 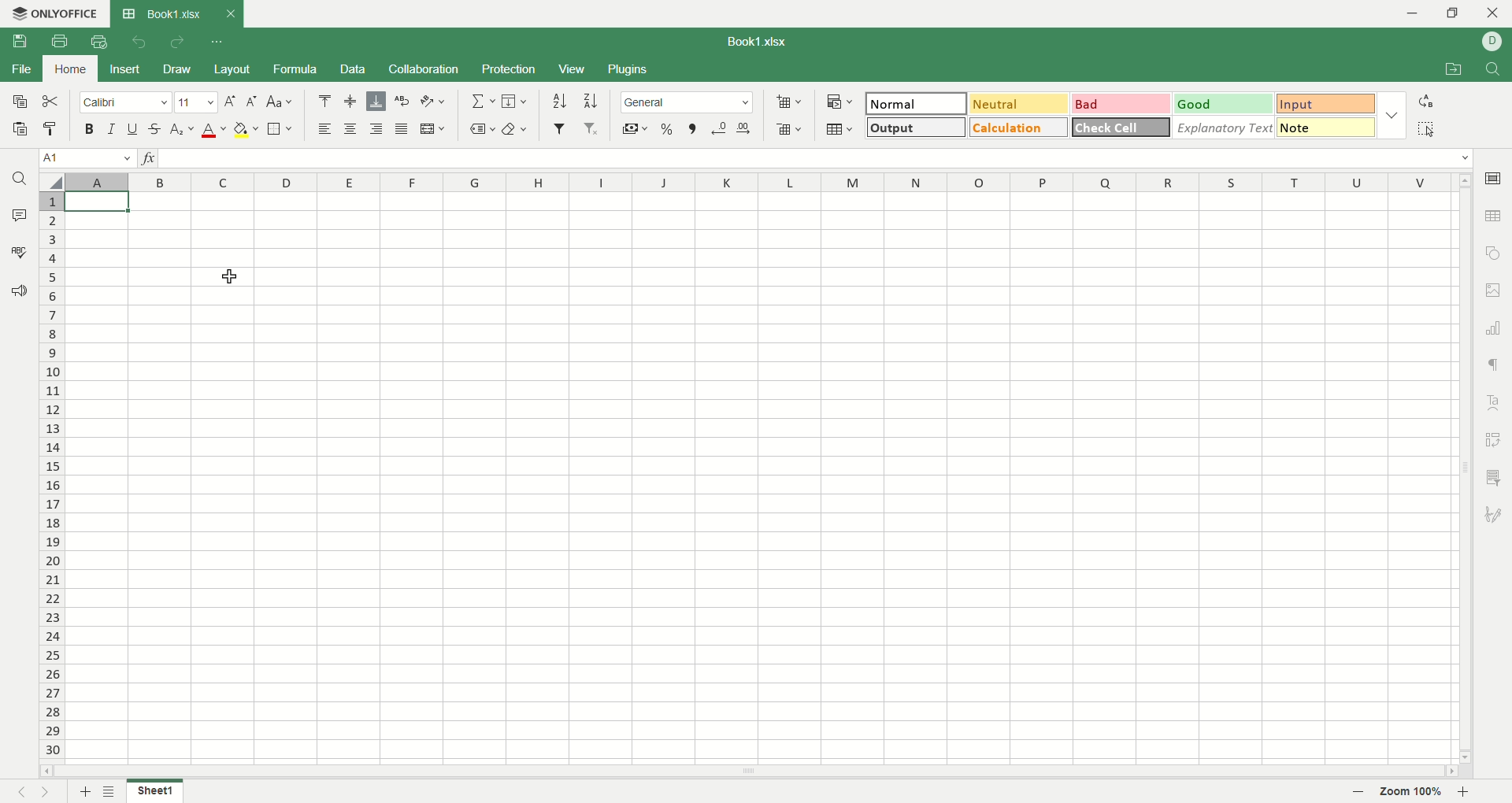 What do you see at coordinates (765, 43) in the screenshot?
I see `Book1.xlsn` at bounding box center [765, 43].